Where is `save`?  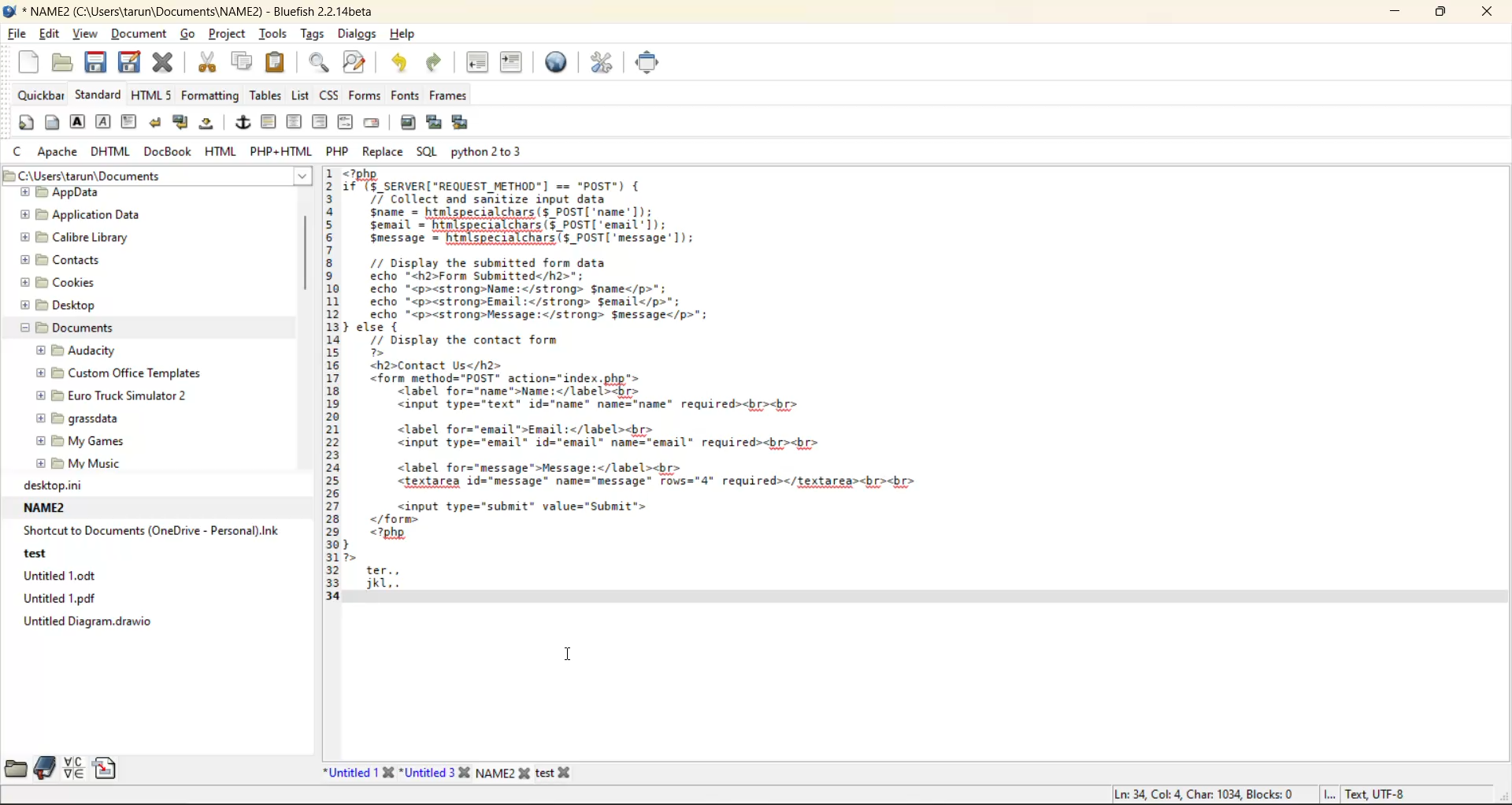
save is located at coordinates (97, 62).